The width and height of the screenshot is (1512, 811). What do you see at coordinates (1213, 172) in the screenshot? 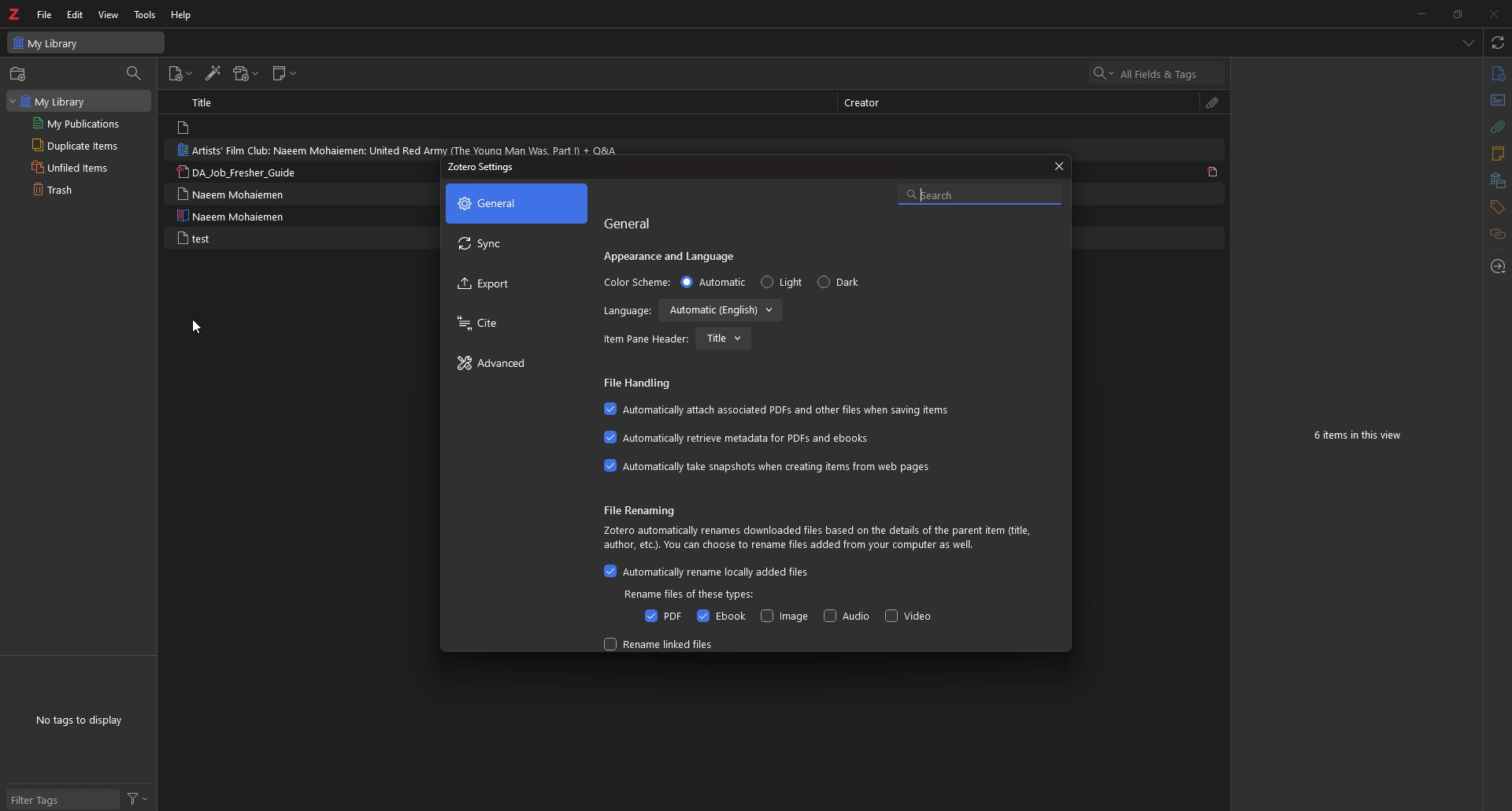
I see `pdf` at bounding box center [1213, 172].